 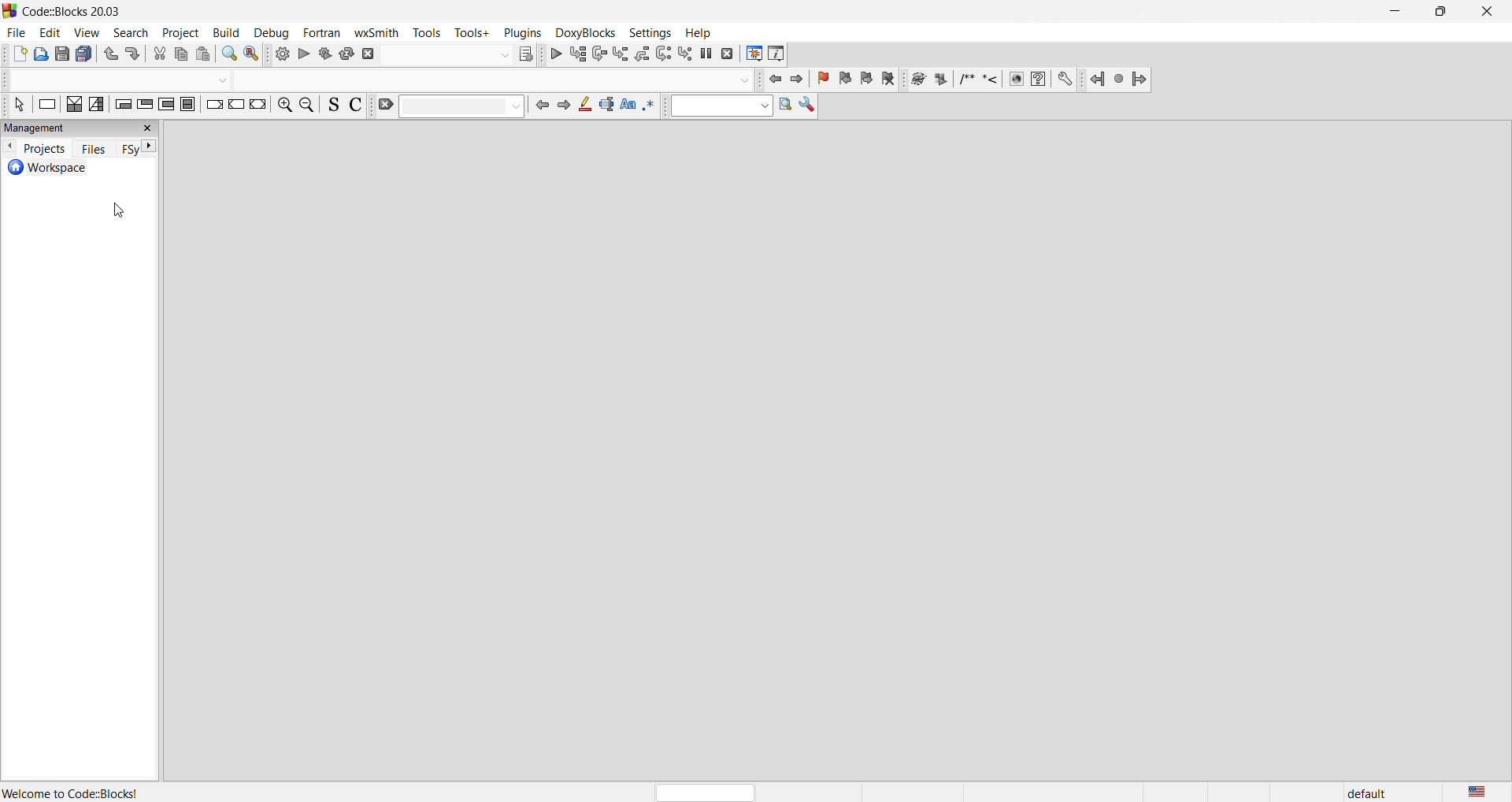 What do you see at coordinates (16, 33) in the screenshot?
I see `file` at bounding box center [16, 33].